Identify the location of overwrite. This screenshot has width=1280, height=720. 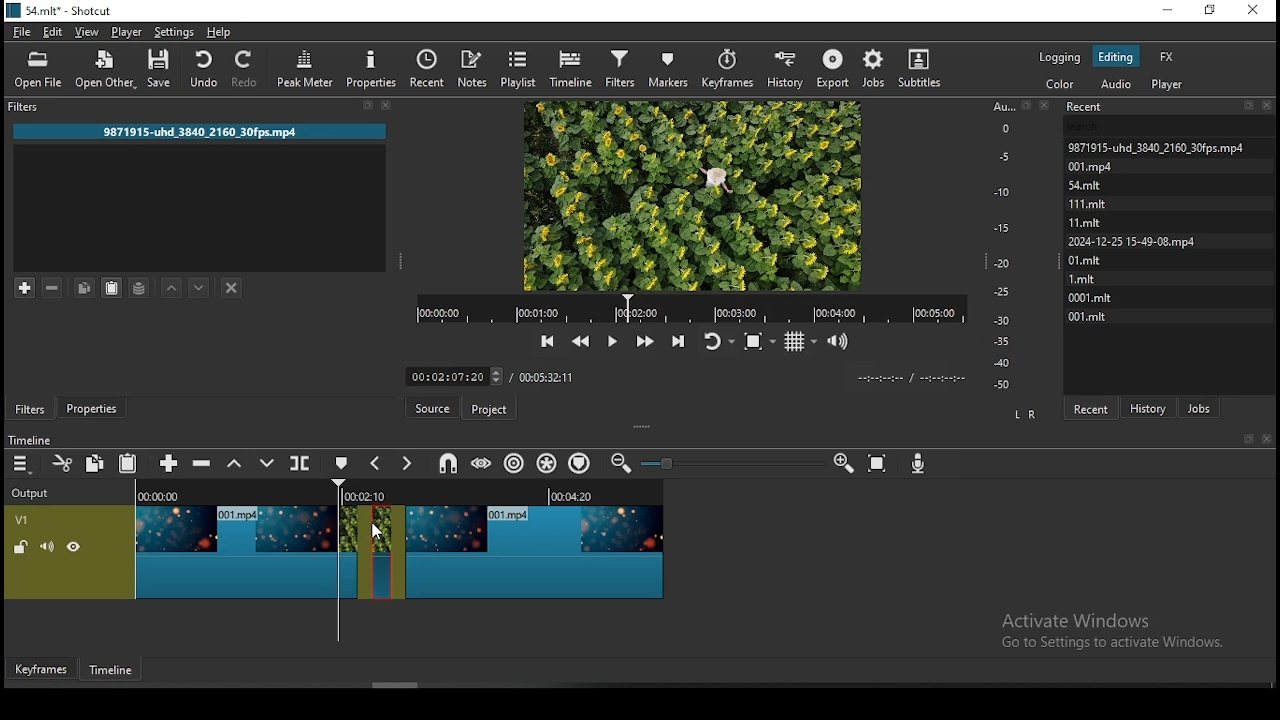
(267, 463).